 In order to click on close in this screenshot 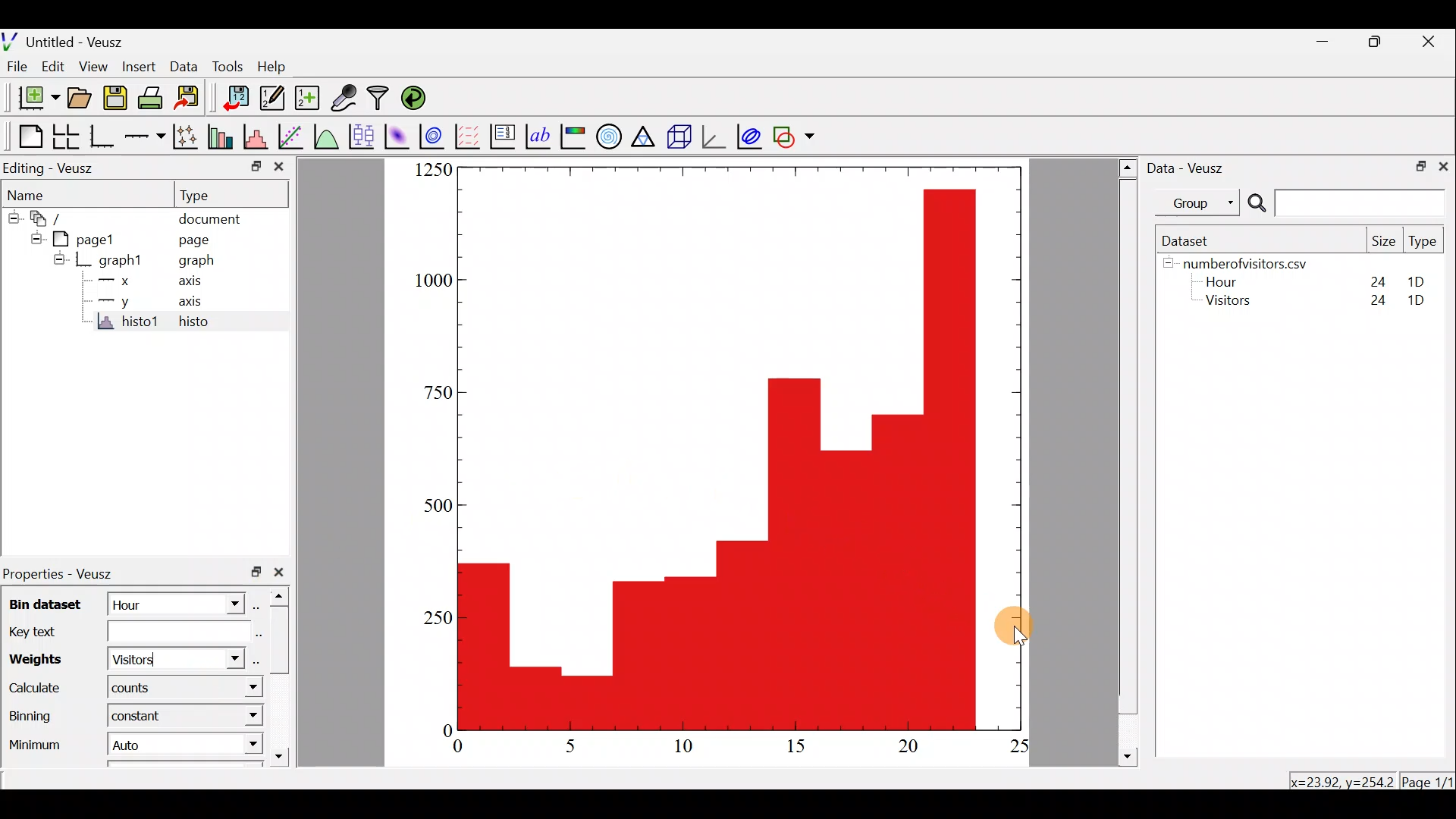, I will do `click(1432, 44)`.